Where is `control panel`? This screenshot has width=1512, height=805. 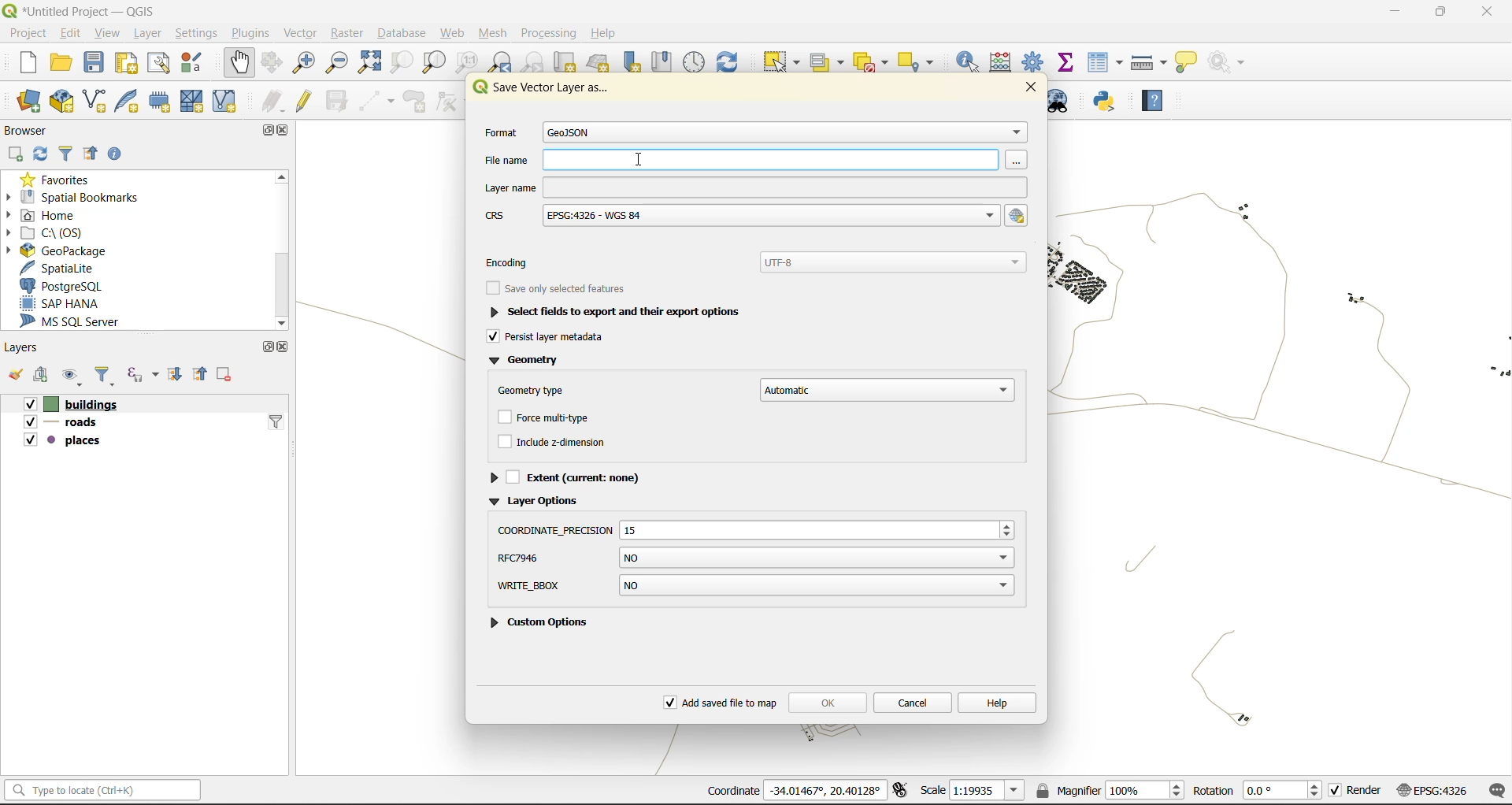 control panel is located at coordinates (695, 61).